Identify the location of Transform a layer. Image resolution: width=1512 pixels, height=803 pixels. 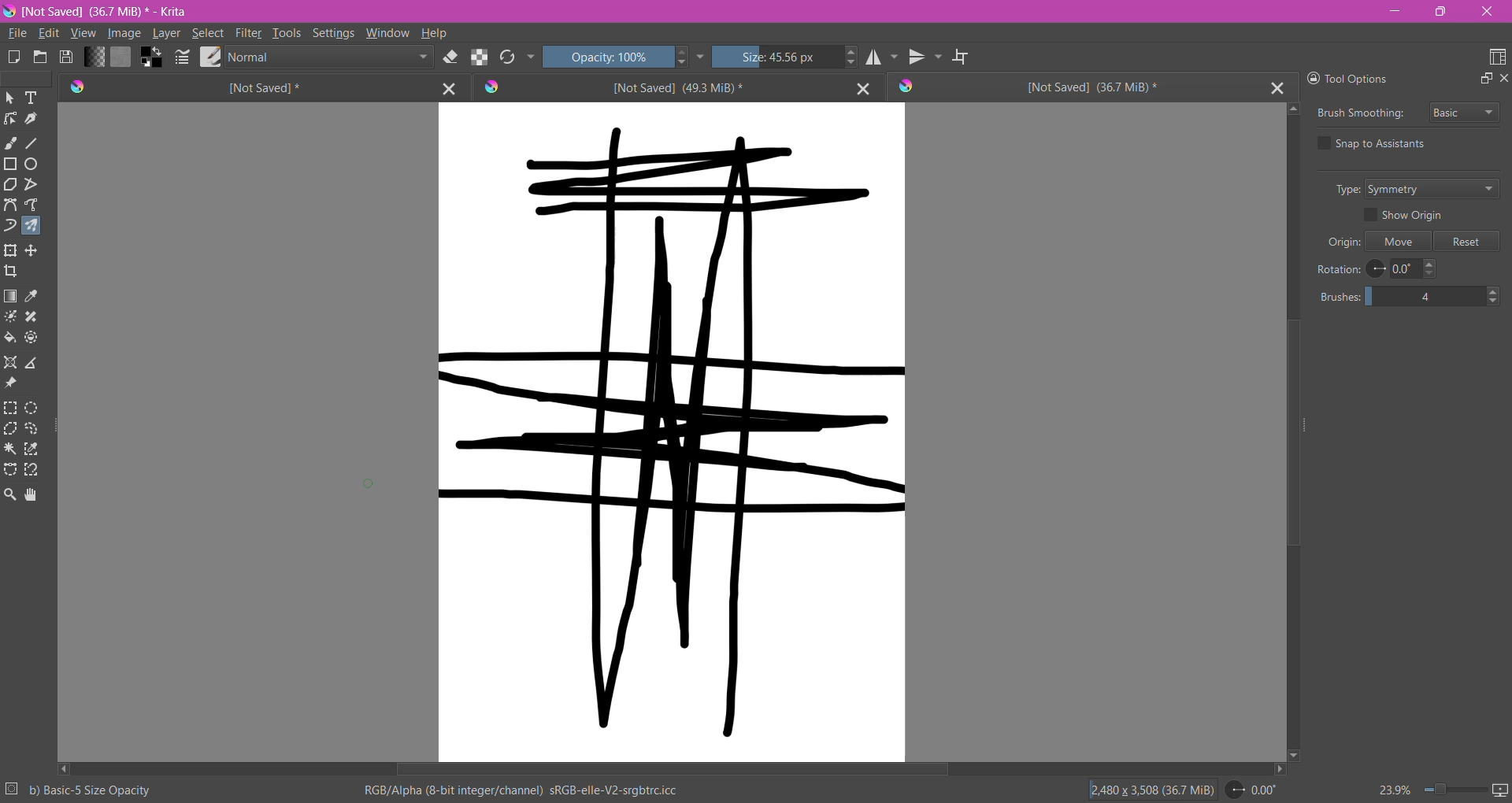
(35, 250).